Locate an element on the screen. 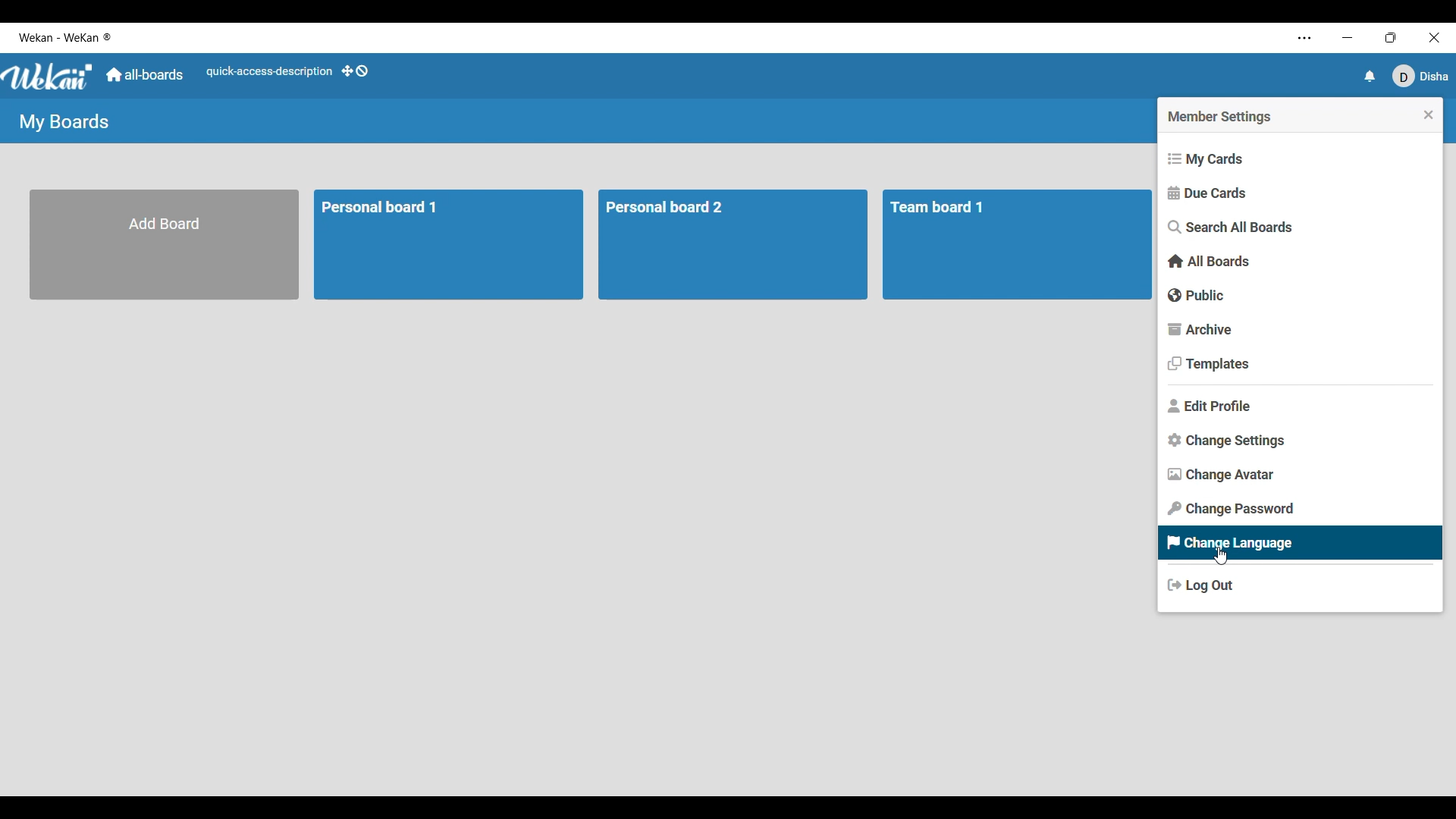 This screenshot has height=819, width=1456. Software logo is located at coordinates (49, 77).